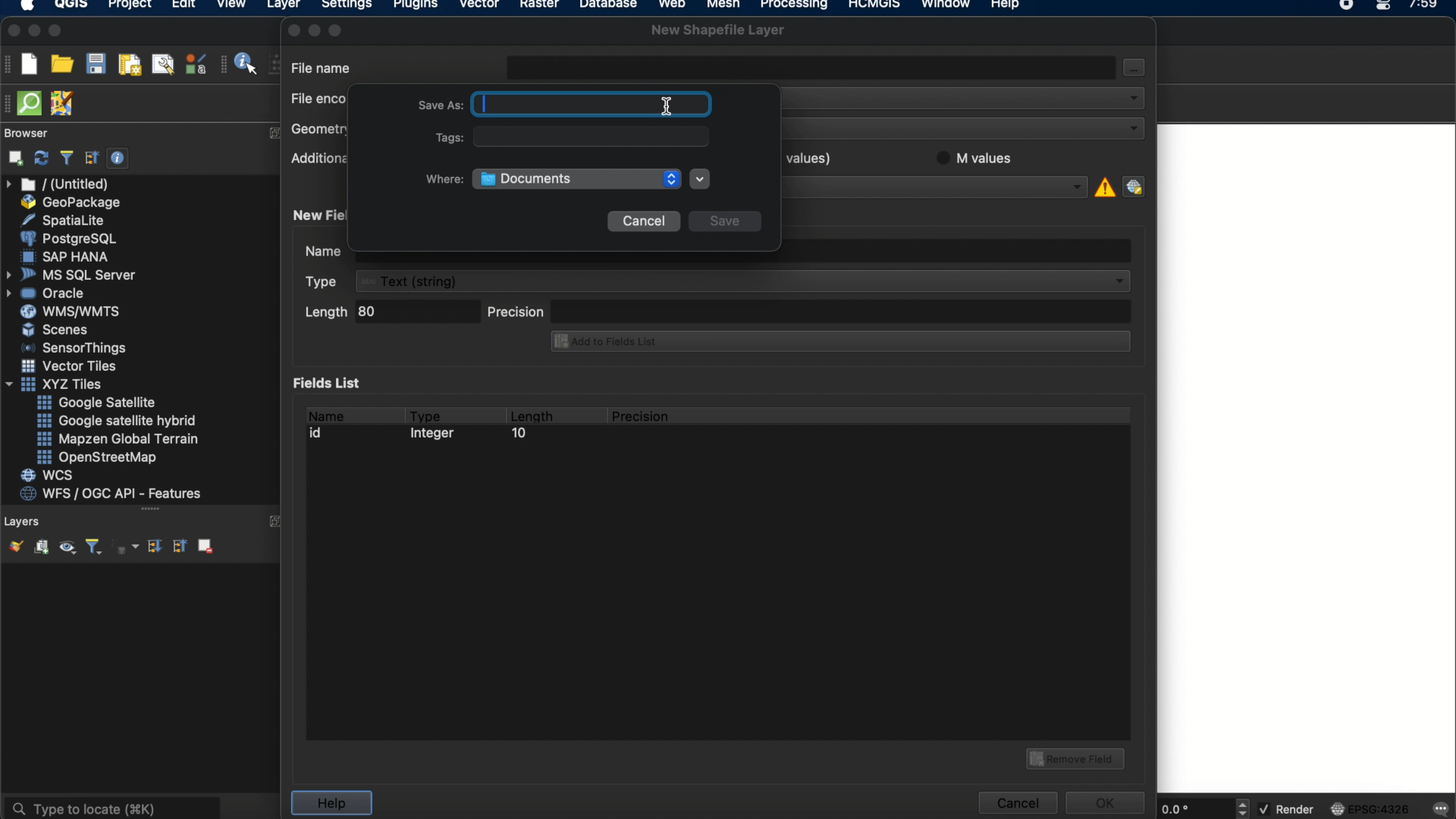 Image resolution: width=1456 pixels, height=819 pixels. I want to click on maximize, so click(338, 30).